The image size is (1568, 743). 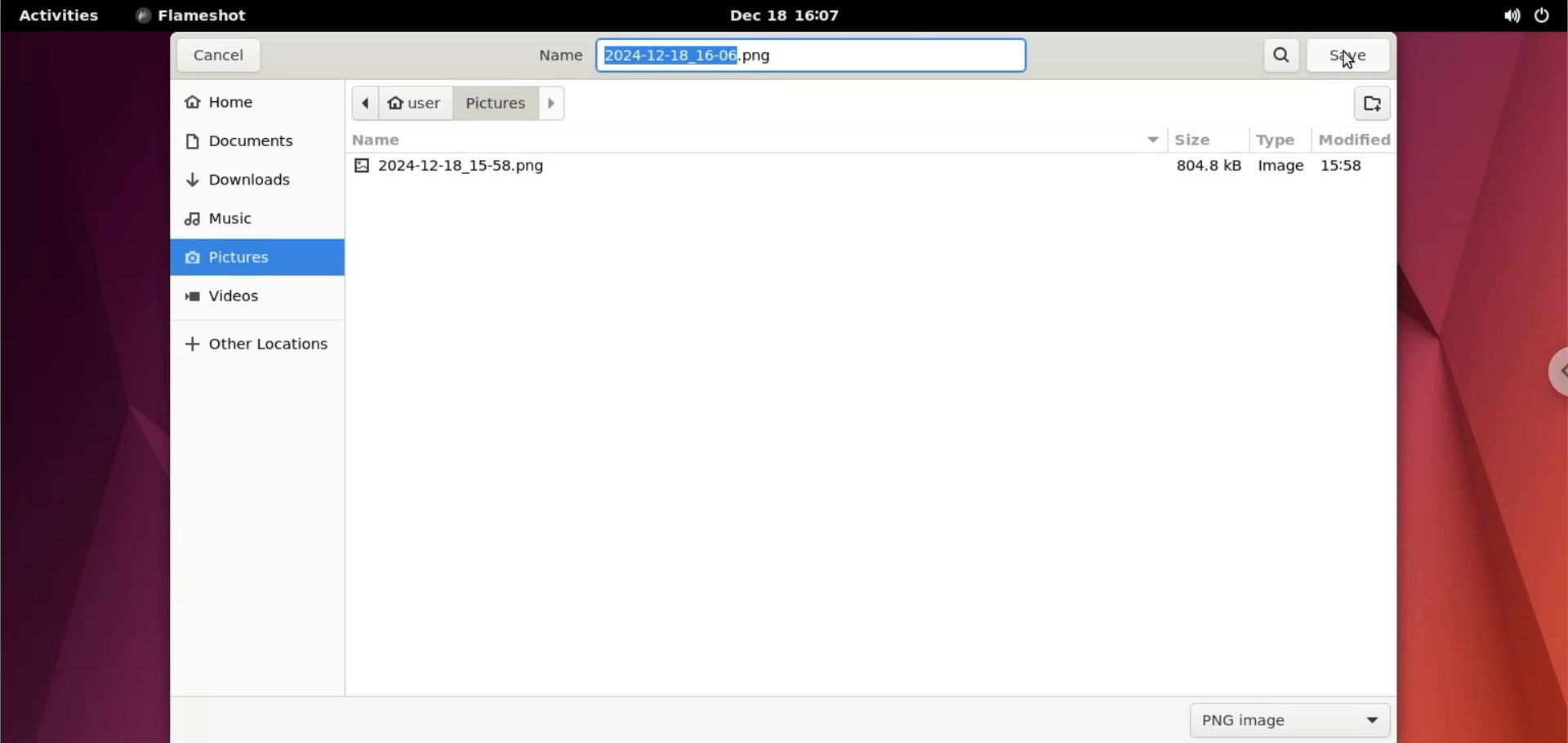 I want to click on type, so click(x=1277, y=139).